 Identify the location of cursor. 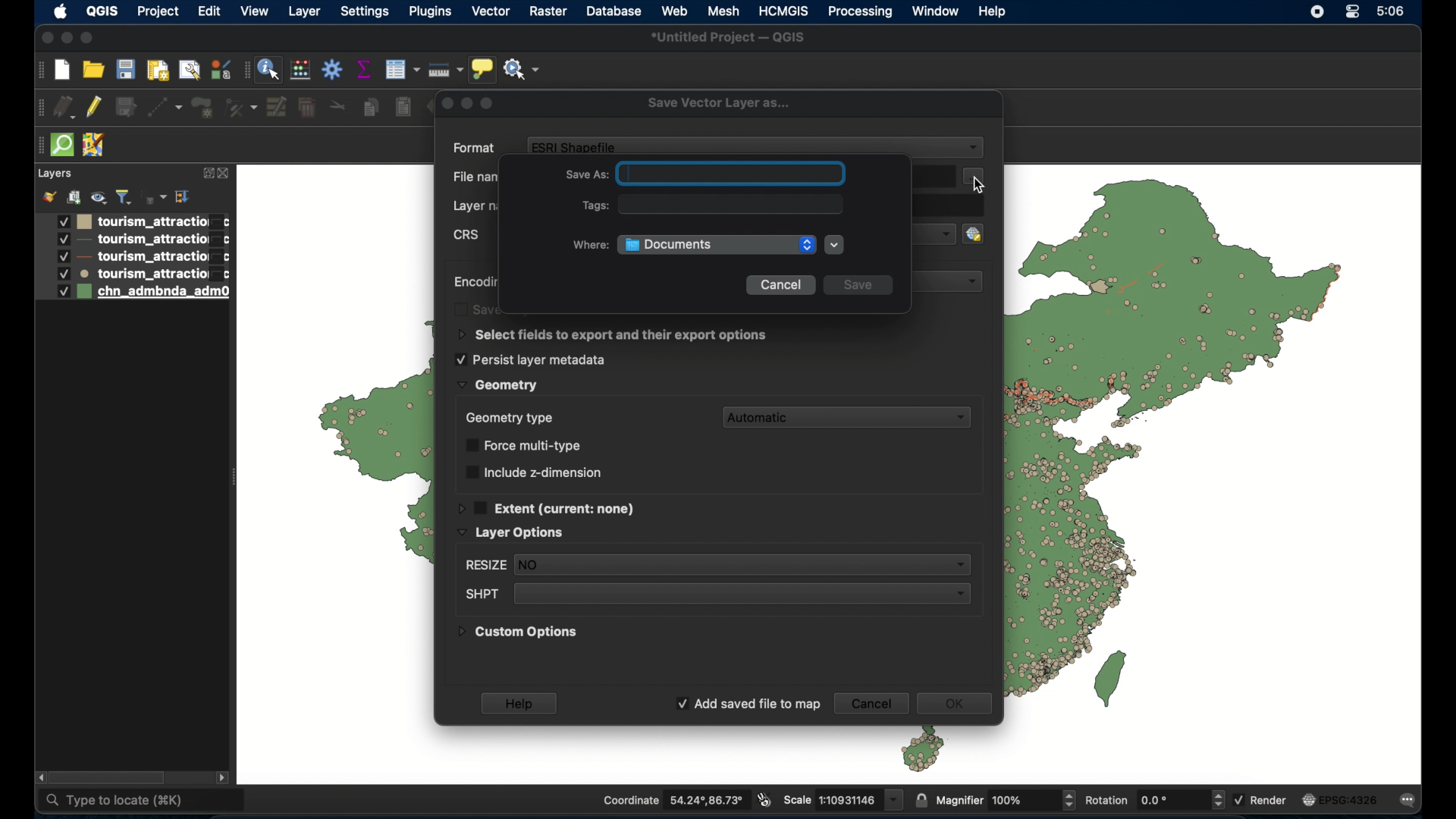
(979, 187).